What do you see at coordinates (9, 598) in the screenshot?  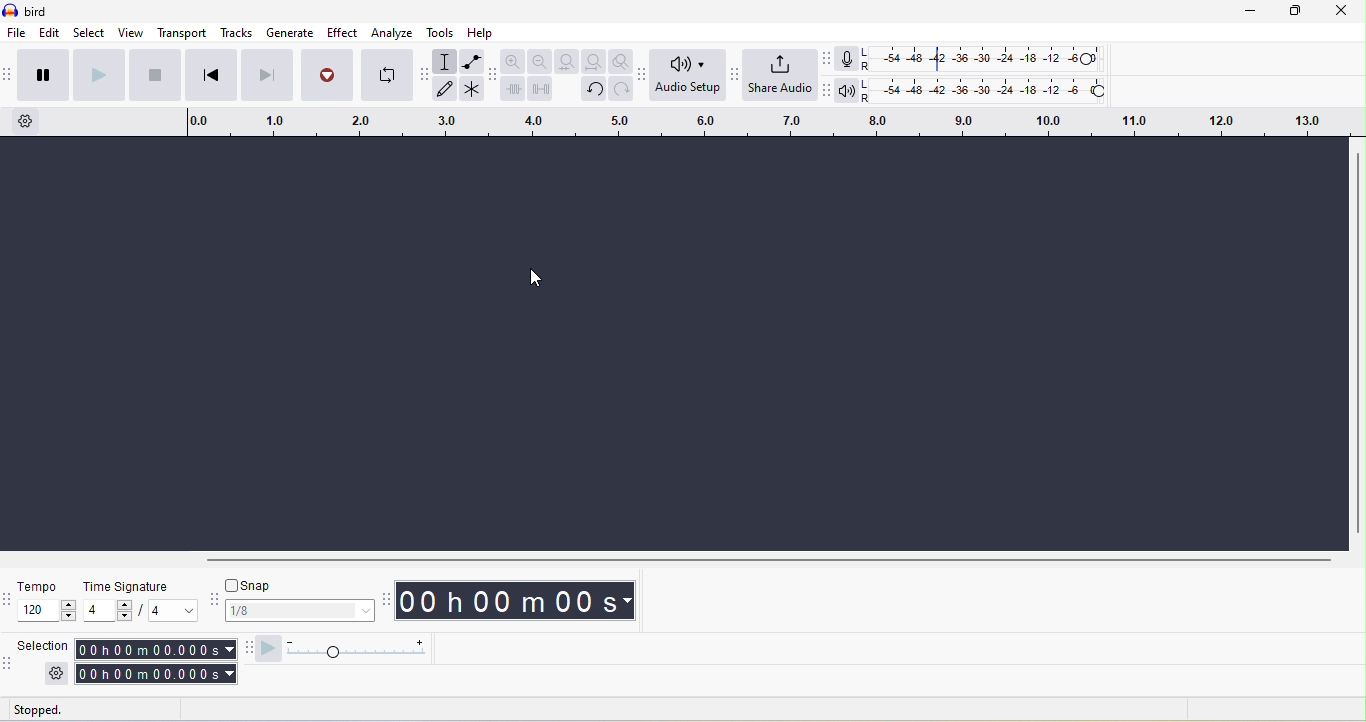 I see `audacity time signature toolbar` at bounding box center [9, 598].